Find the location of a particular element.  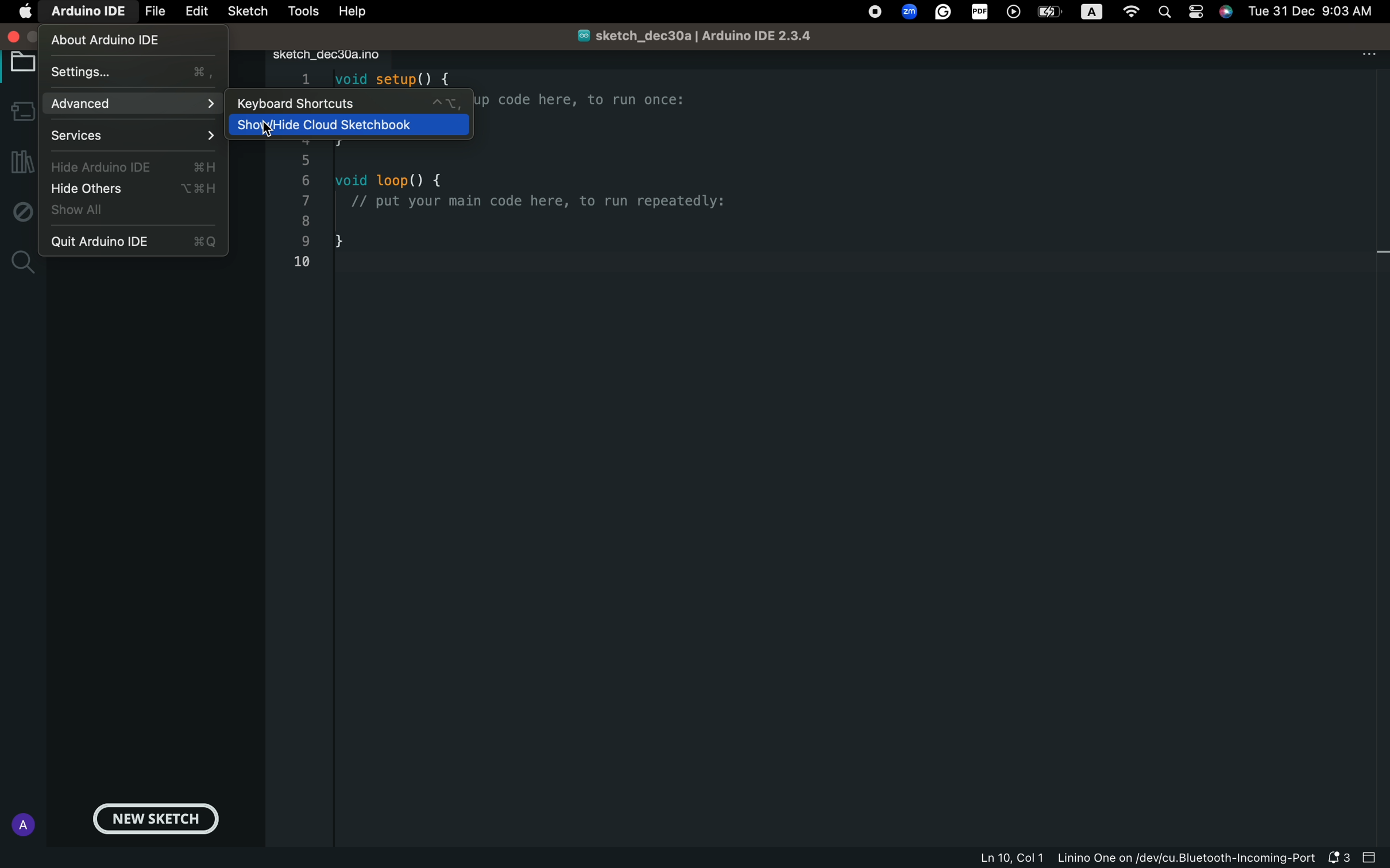

arduino ide is located at coordinates (82, 13).